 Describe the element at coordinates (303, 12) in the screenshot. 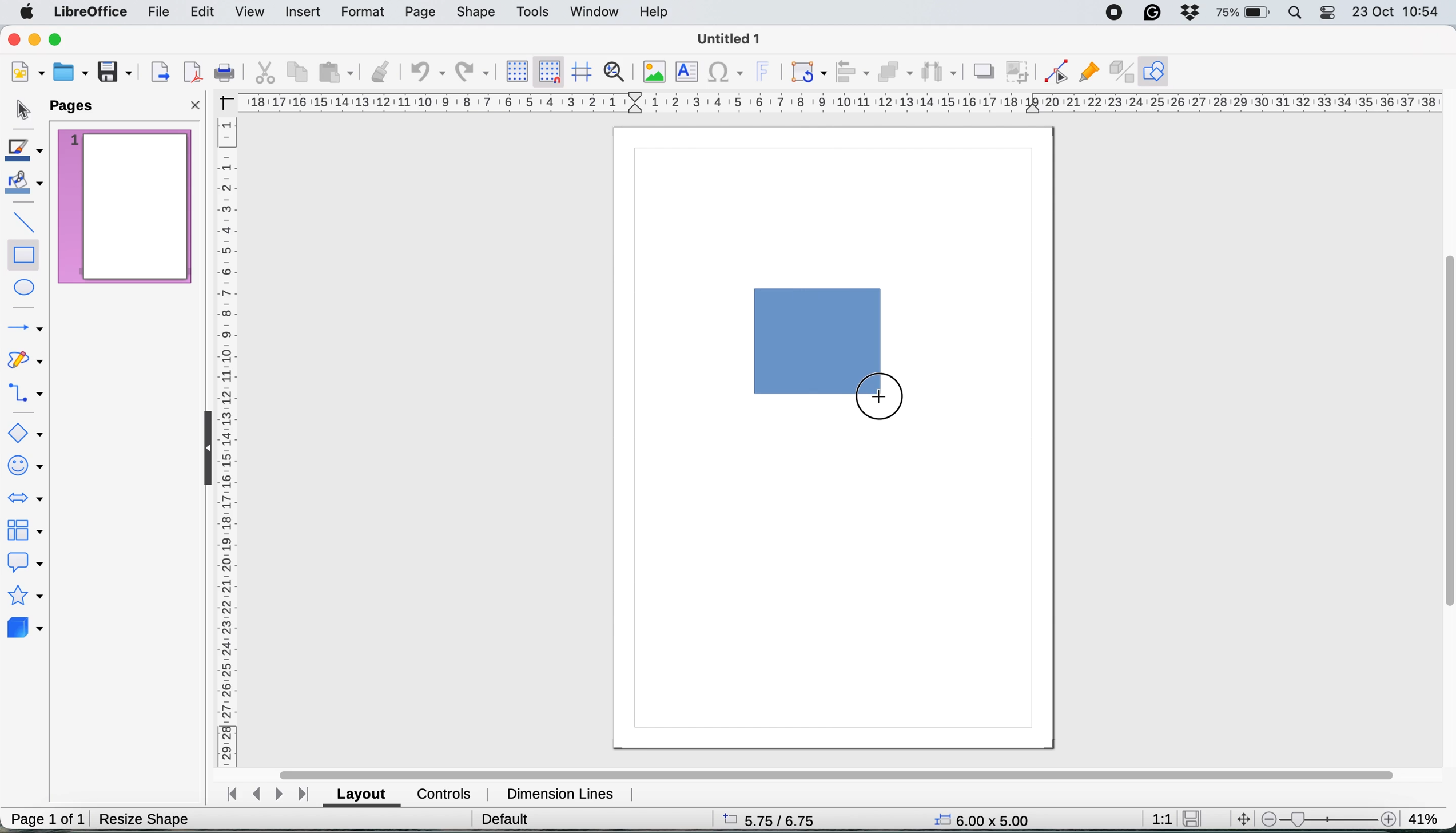

I see `insert` at that location.